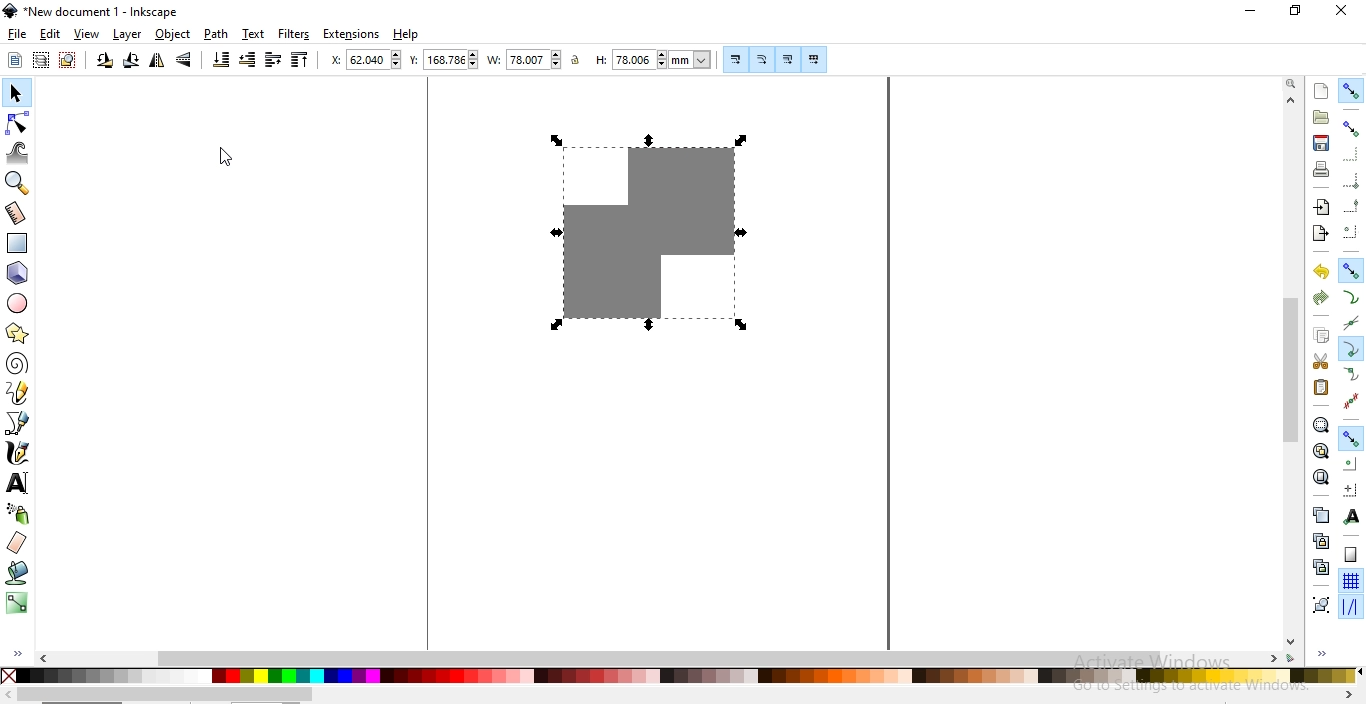 This screenshot has width=1366, height=704. I want to click on select any object in visible and unlocked layers, so click(42, 60).